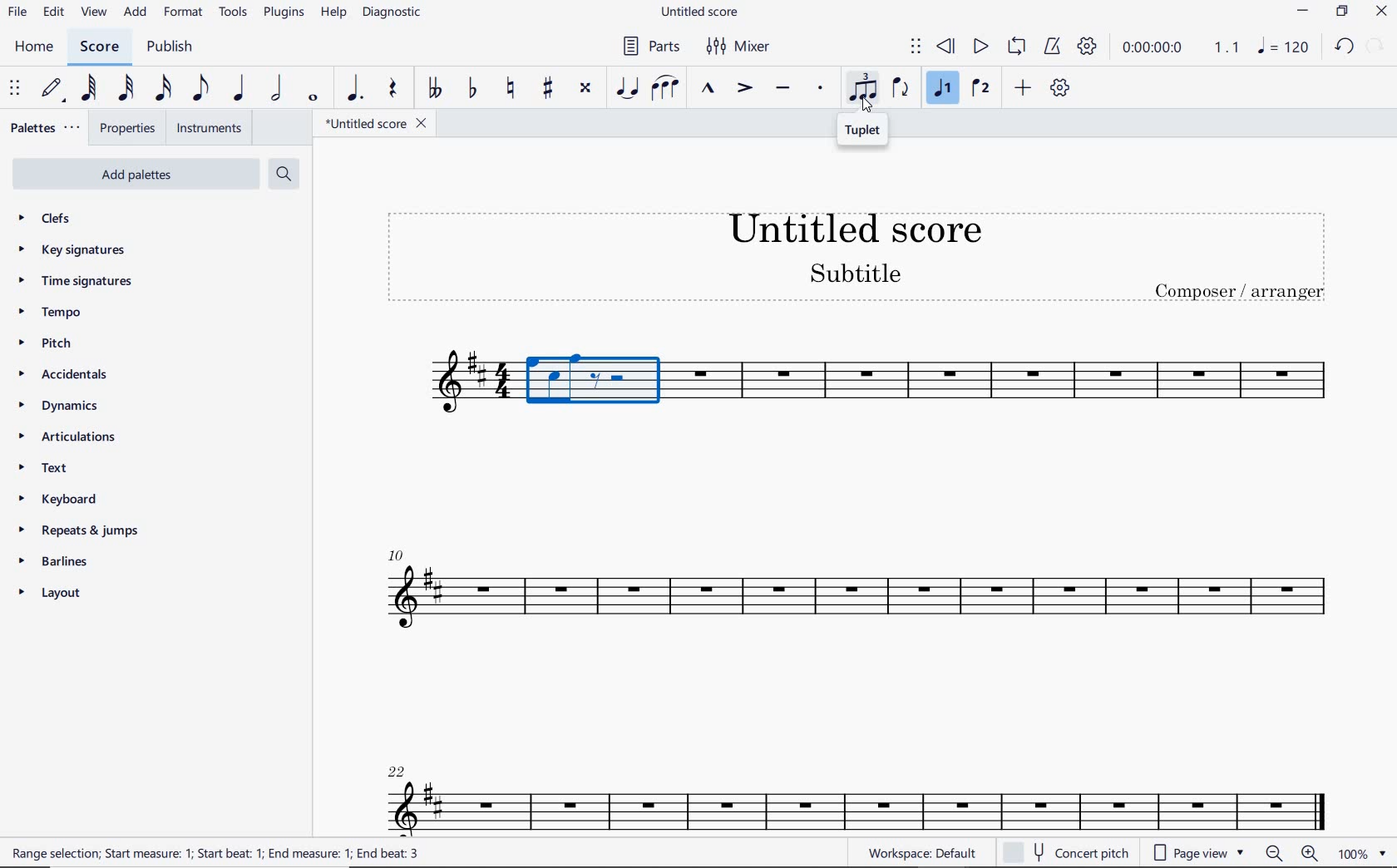  I want to click on REPEATS & JUMPS, so click(81, 530).